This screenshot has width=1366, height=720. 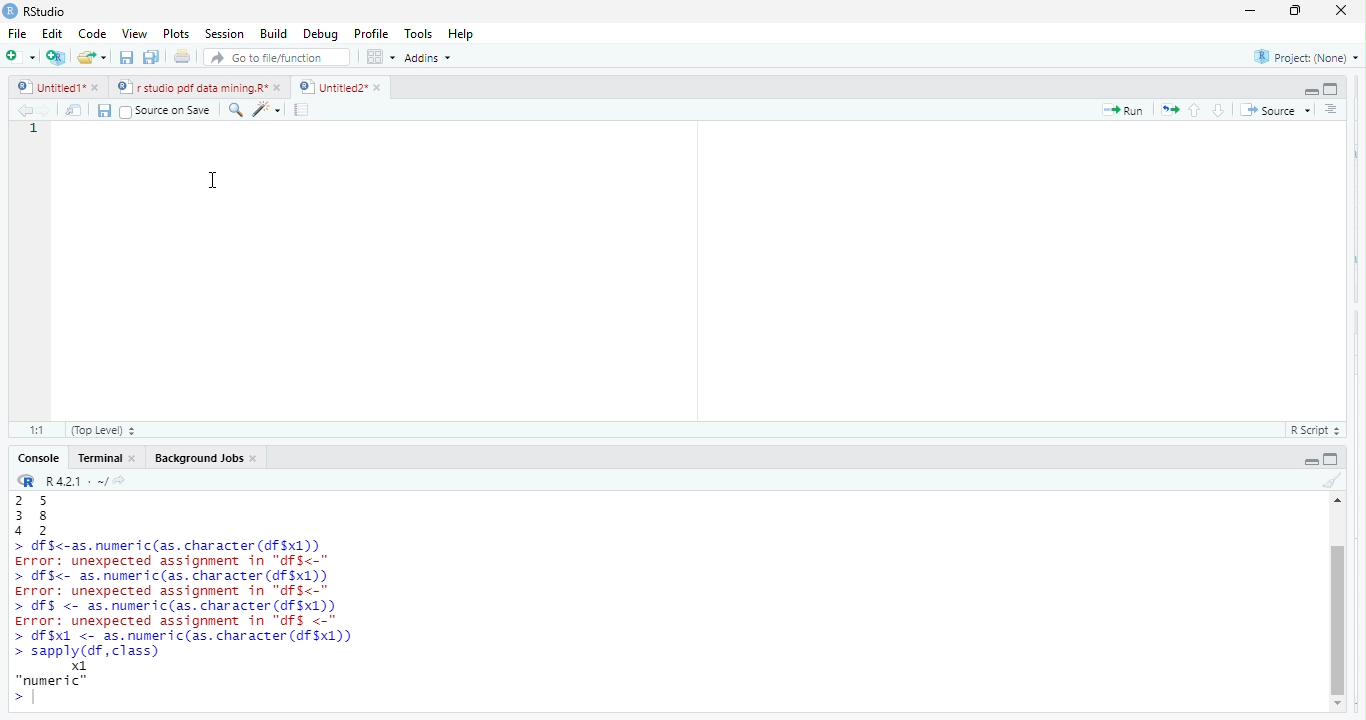 I want to click on profile, so click(x=370, y=32).